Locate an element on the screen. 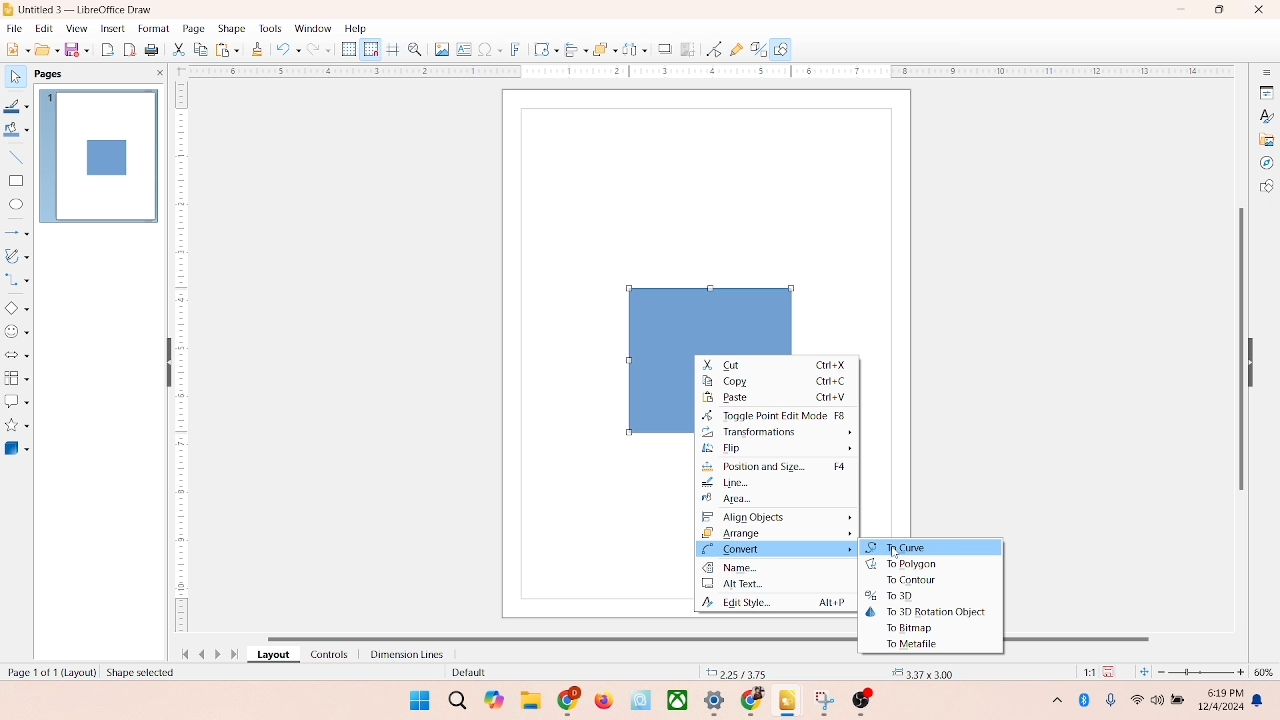 The width and height of the screenshot is (1280, 720). default is located at coordinates (465, 673).